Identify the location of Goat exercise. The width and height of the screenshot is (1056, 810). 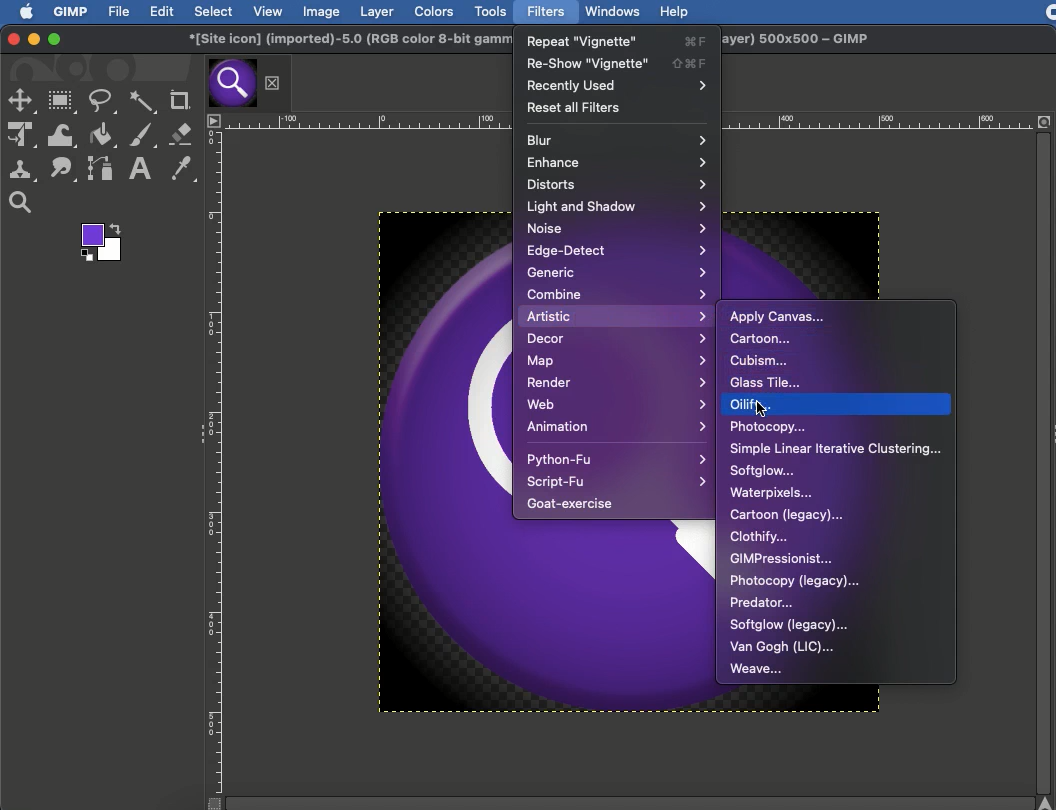
(574, 503).